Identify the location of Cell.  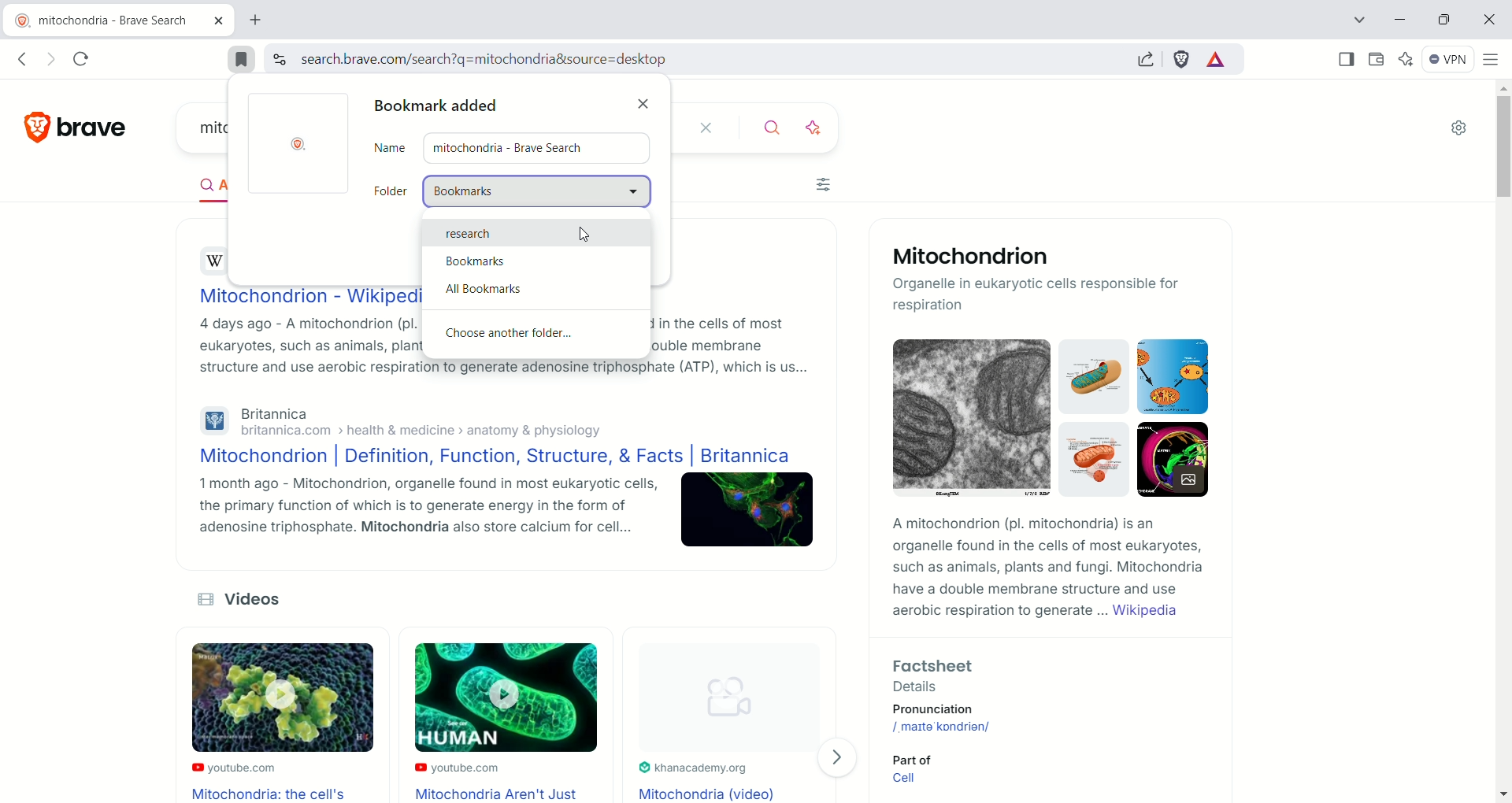
(909, 781).